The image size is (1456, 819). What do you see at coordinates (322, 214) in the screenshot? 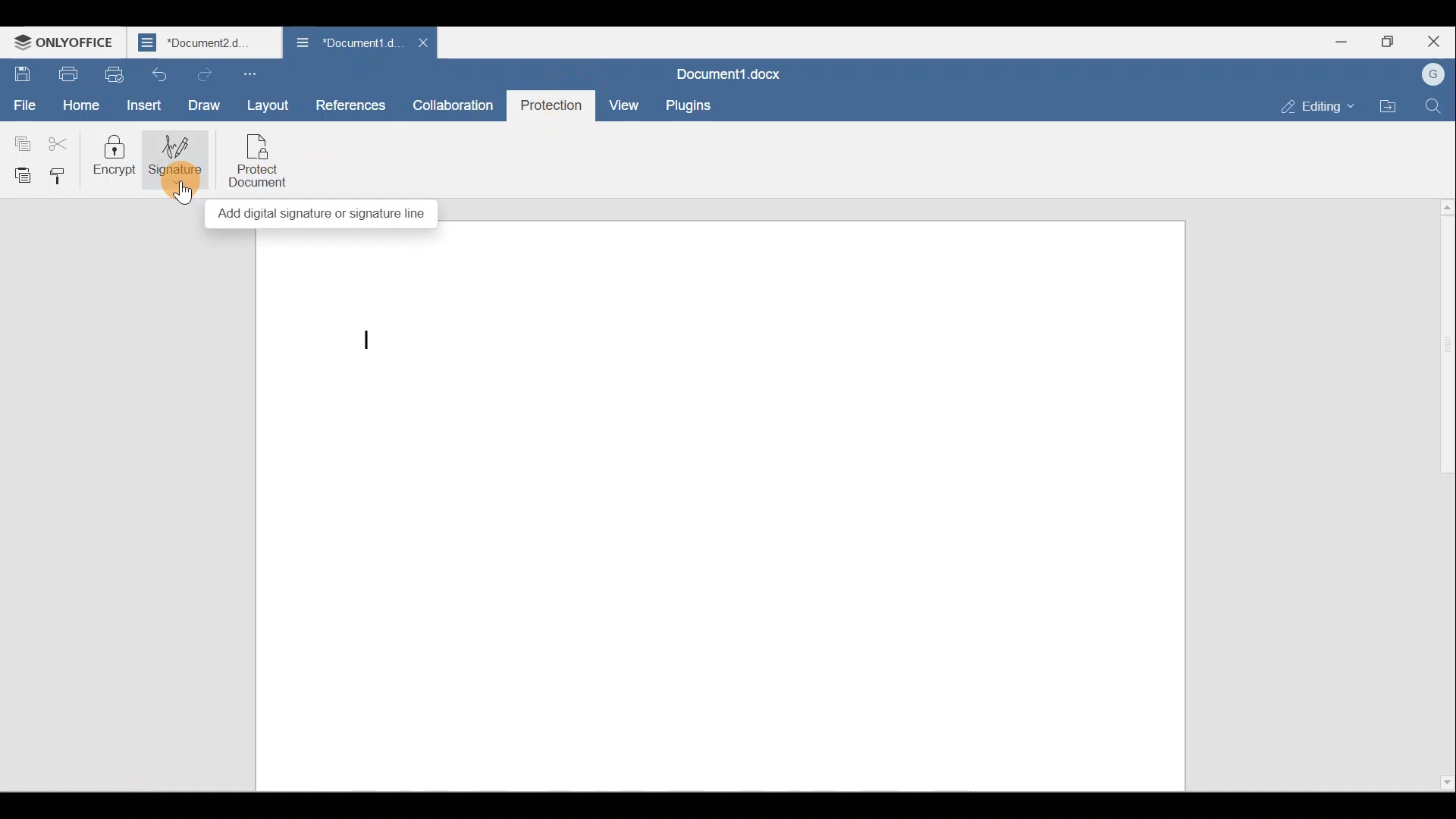
I see `Add digital signature or signature line` at bounding box center [322, 214].